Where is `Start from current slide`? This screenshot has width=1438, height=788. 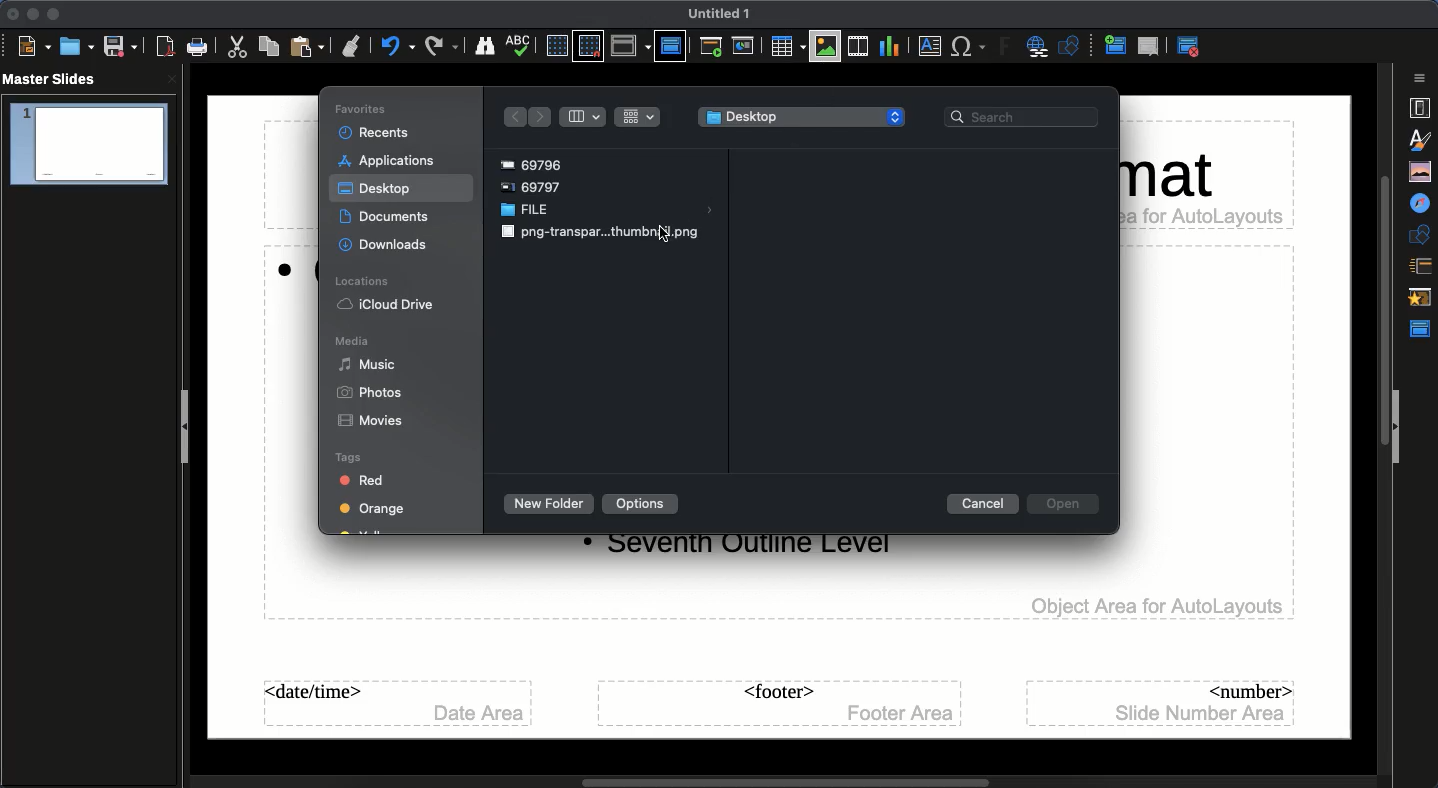 Start from current slide is located at coordinates (745, 46).